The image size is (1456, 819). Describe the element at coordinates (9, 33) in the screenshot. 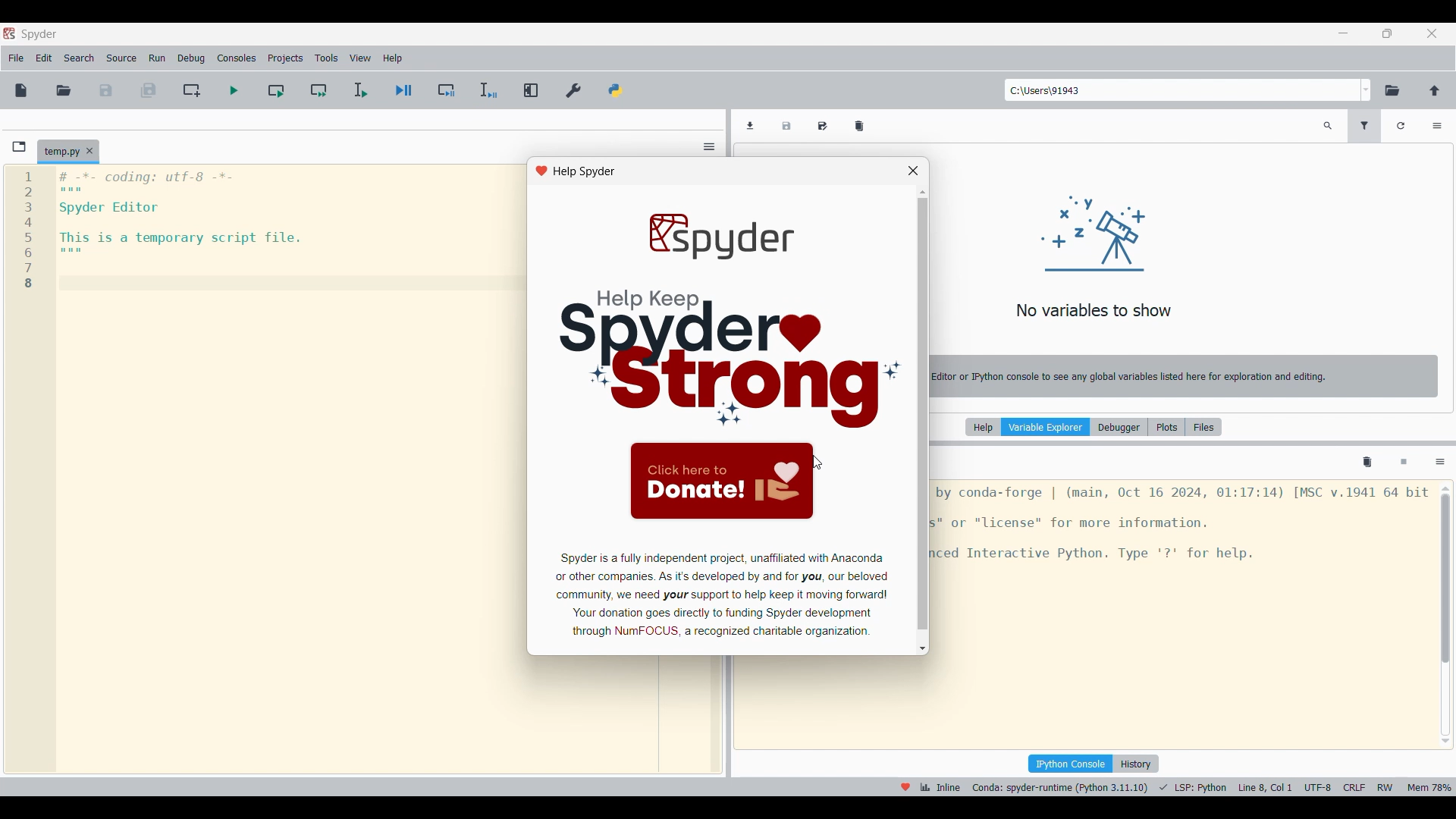

I see `Software logo` at that location.